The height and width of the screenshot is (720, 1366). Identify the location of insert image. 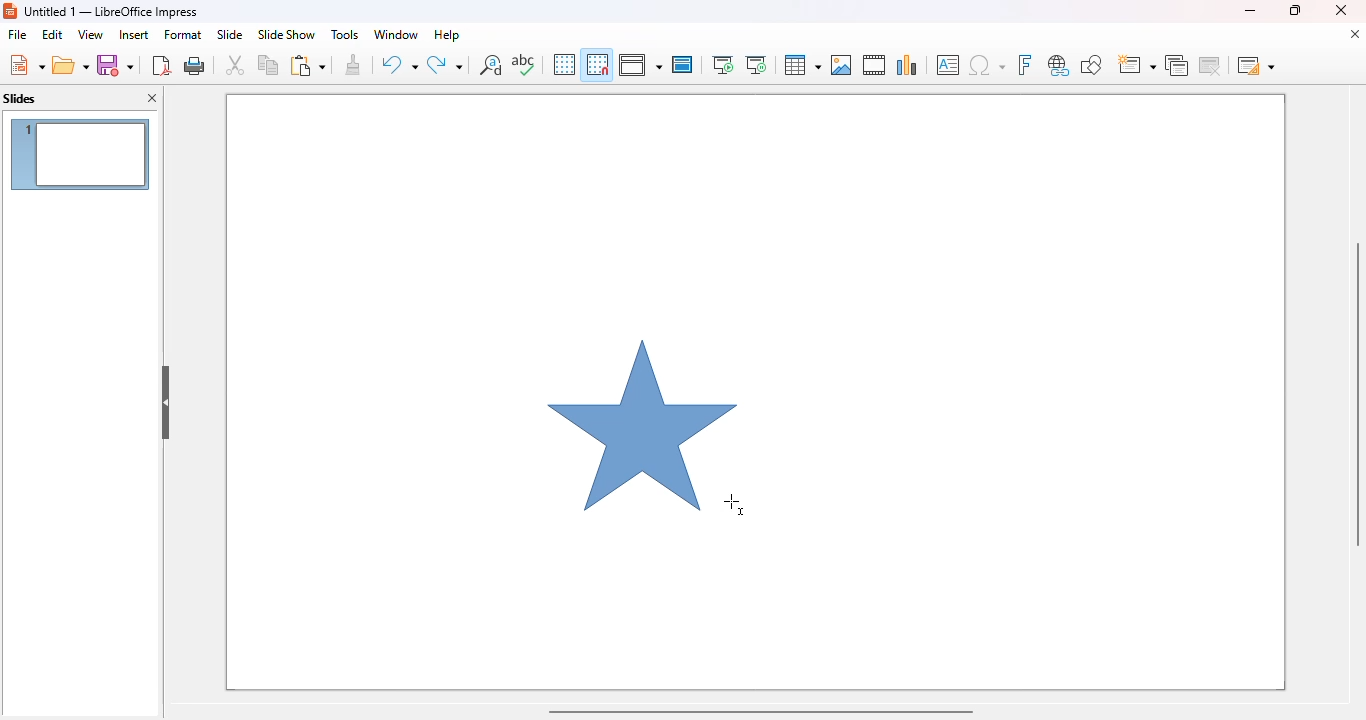
(841, 65).